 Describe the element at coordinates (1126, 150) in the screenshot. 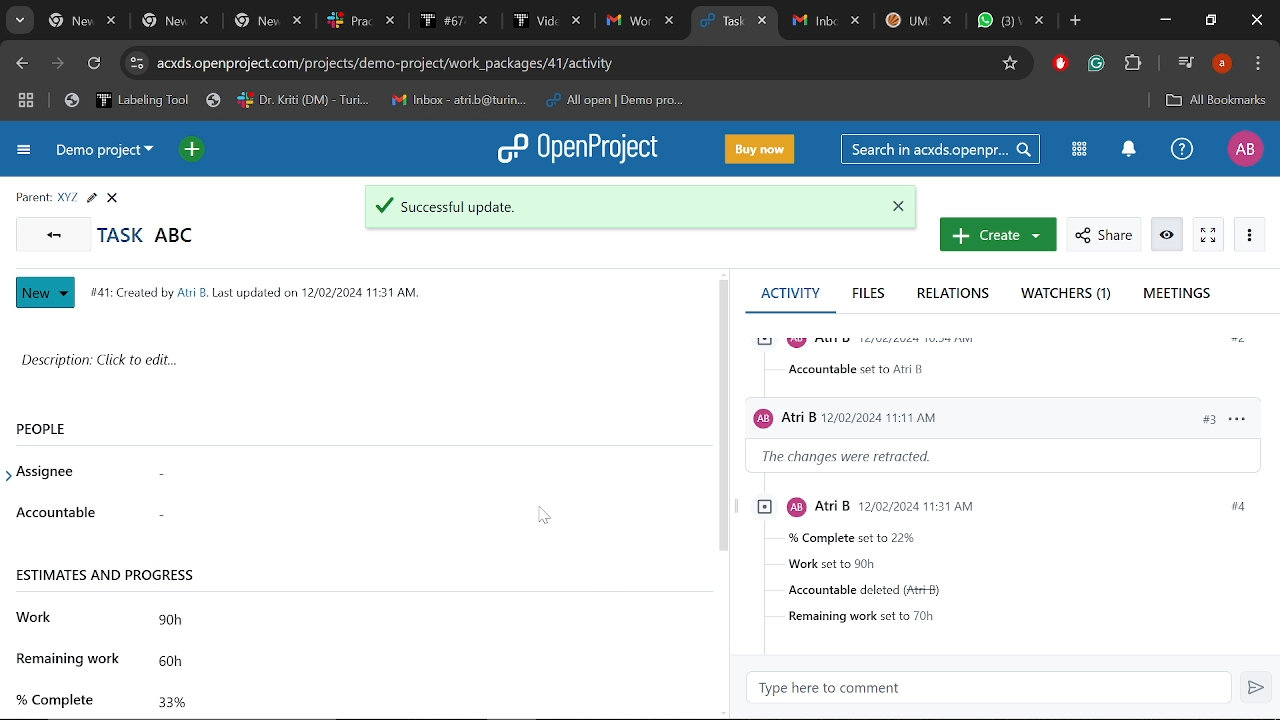

I see `Notification center` at that location.